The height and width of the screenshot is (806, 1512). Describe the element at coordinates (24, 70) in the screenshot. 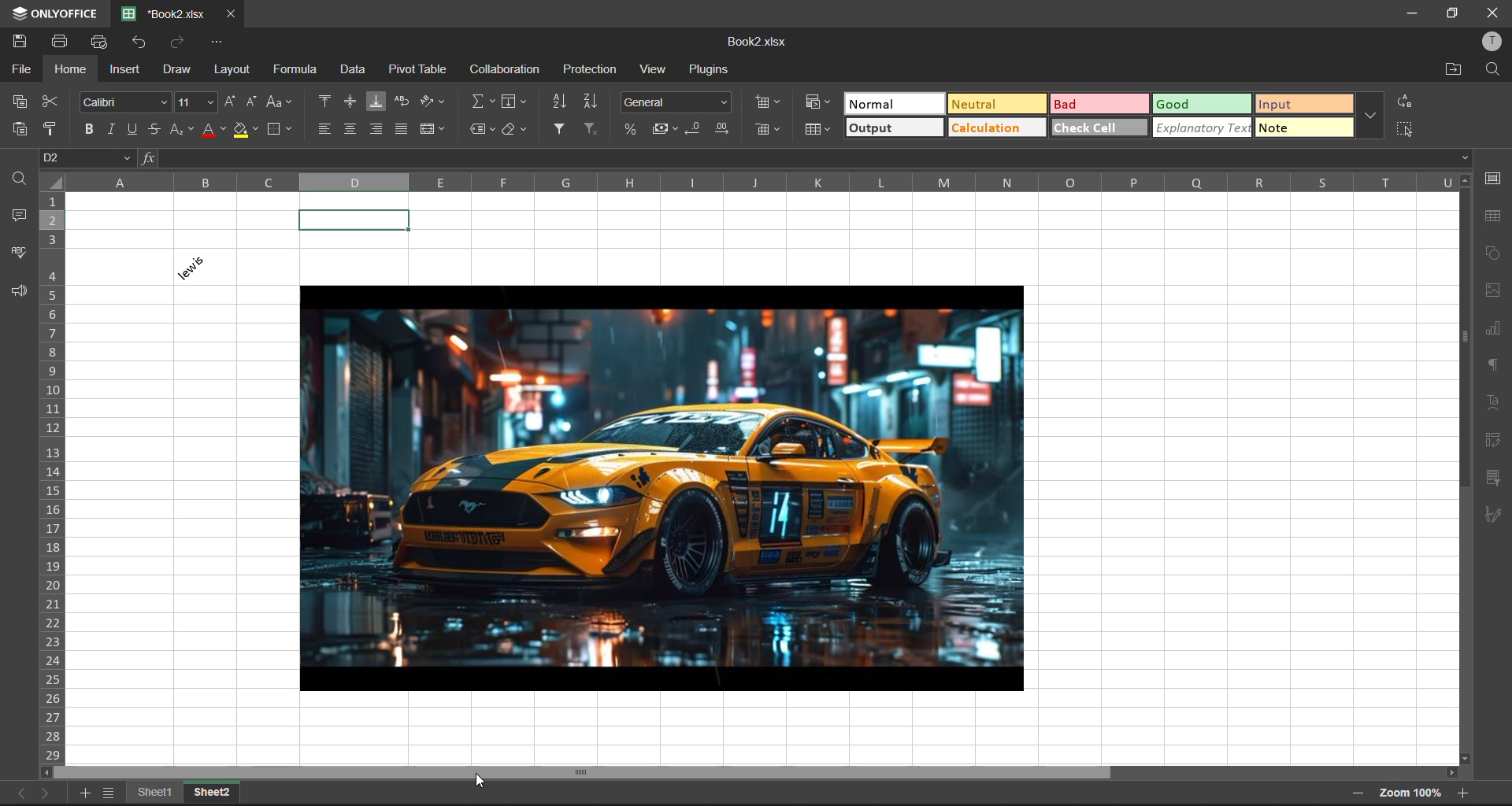

I see `file` at that location.